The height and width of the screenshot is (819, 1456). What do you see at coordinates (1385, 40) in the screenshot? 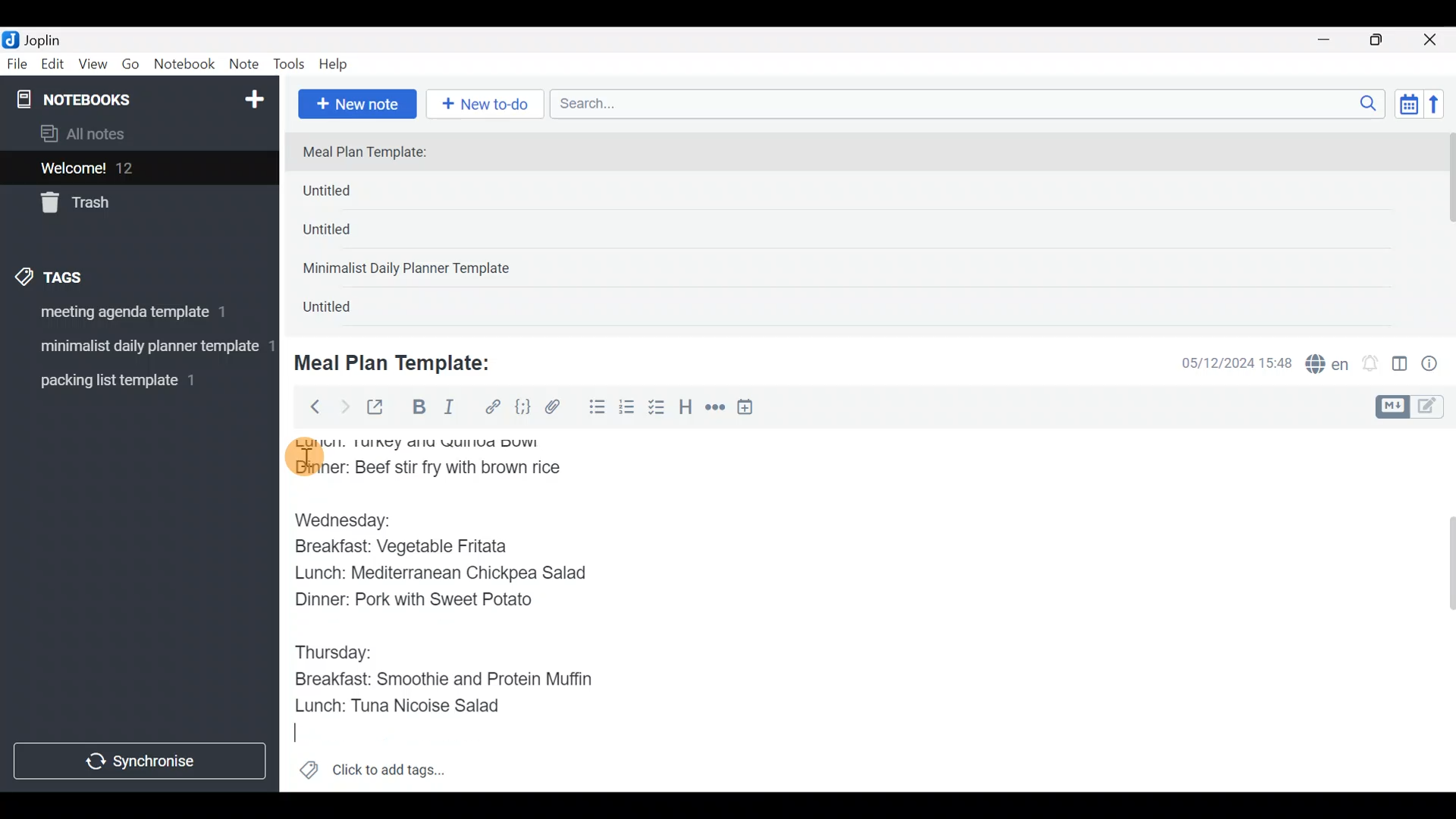
I see `Maximize` at bounding box center [1385, 40].